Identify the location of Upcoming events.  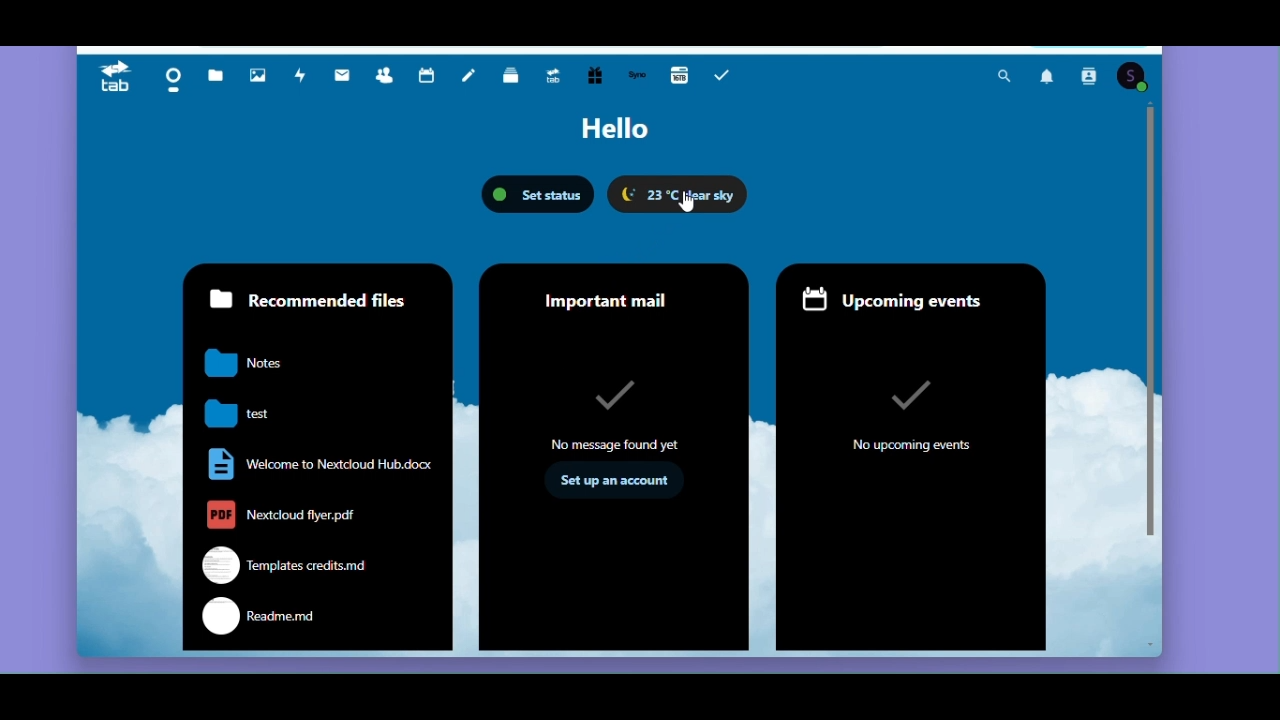
(912, 297).